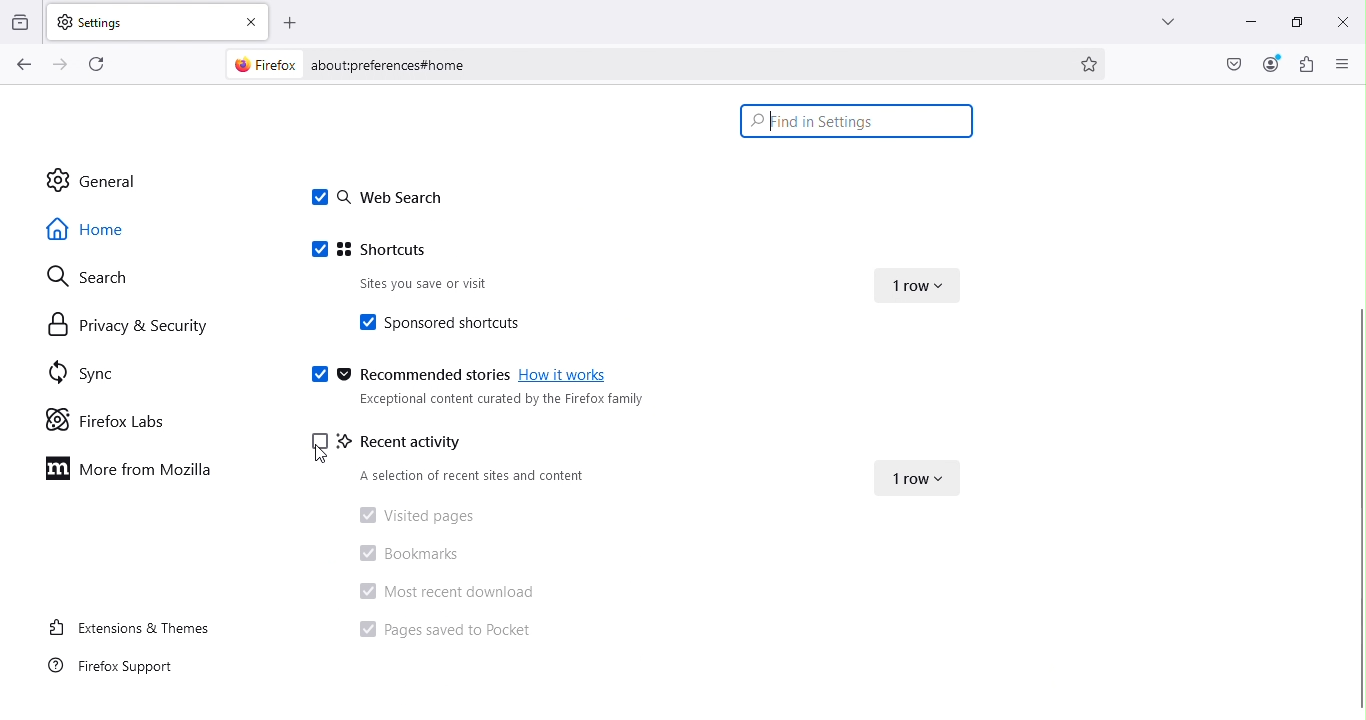  Describe the element at coordinates (919, 282) in the screenshot. I see `Drop down menu` at that location.